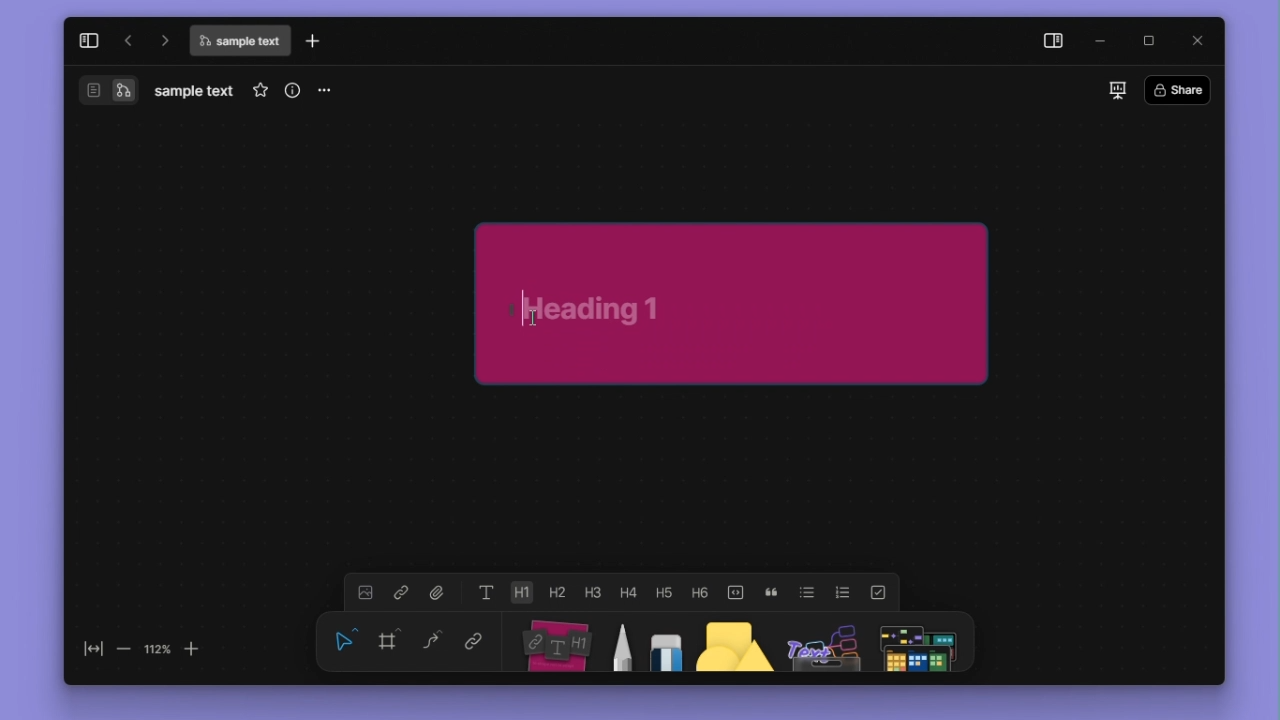 This screenshot has height=720, width=1280. What do you see at coordinates (771, 593) in the screenshot?
I see `quote` at bounding box center [771, 593].